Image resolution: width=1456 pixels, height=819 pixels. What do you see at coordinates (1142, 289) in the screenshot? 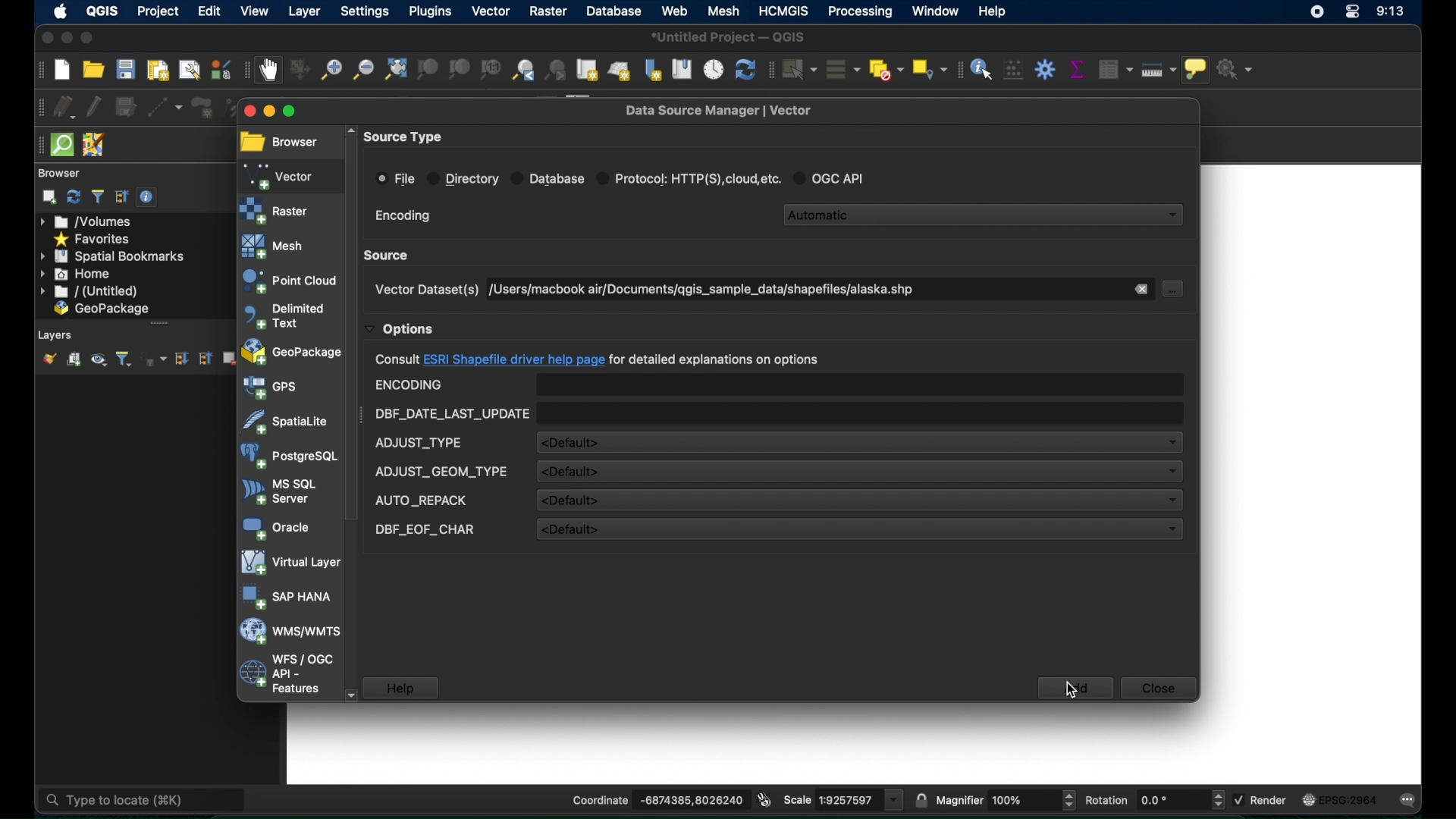
I see `remove` at bounding box center [1142, 289].